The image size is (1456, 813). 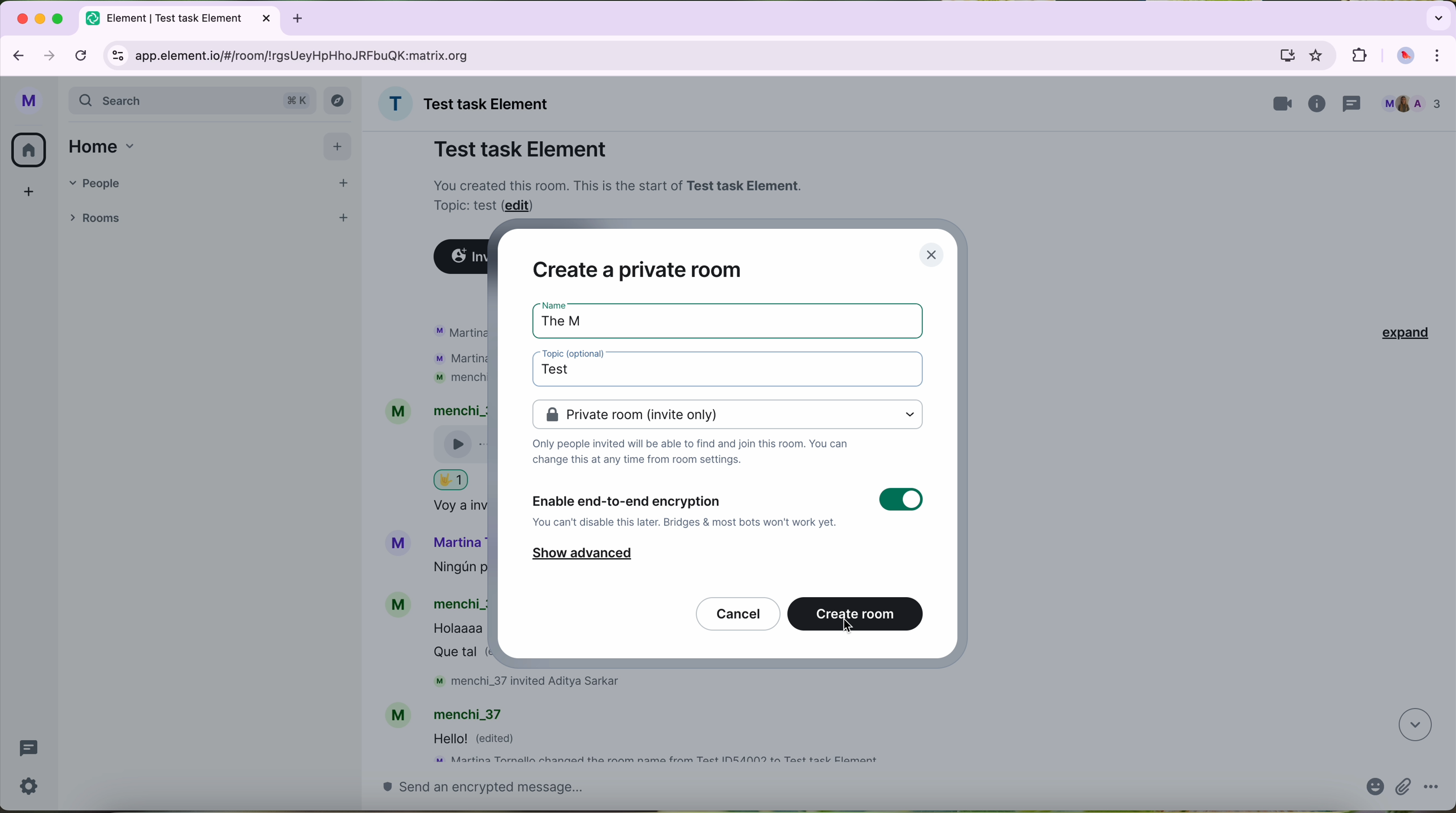 What do you see at coordinates (1399, 332) in the screenshot?
I see `expand` at bounding box center [1399, 332].